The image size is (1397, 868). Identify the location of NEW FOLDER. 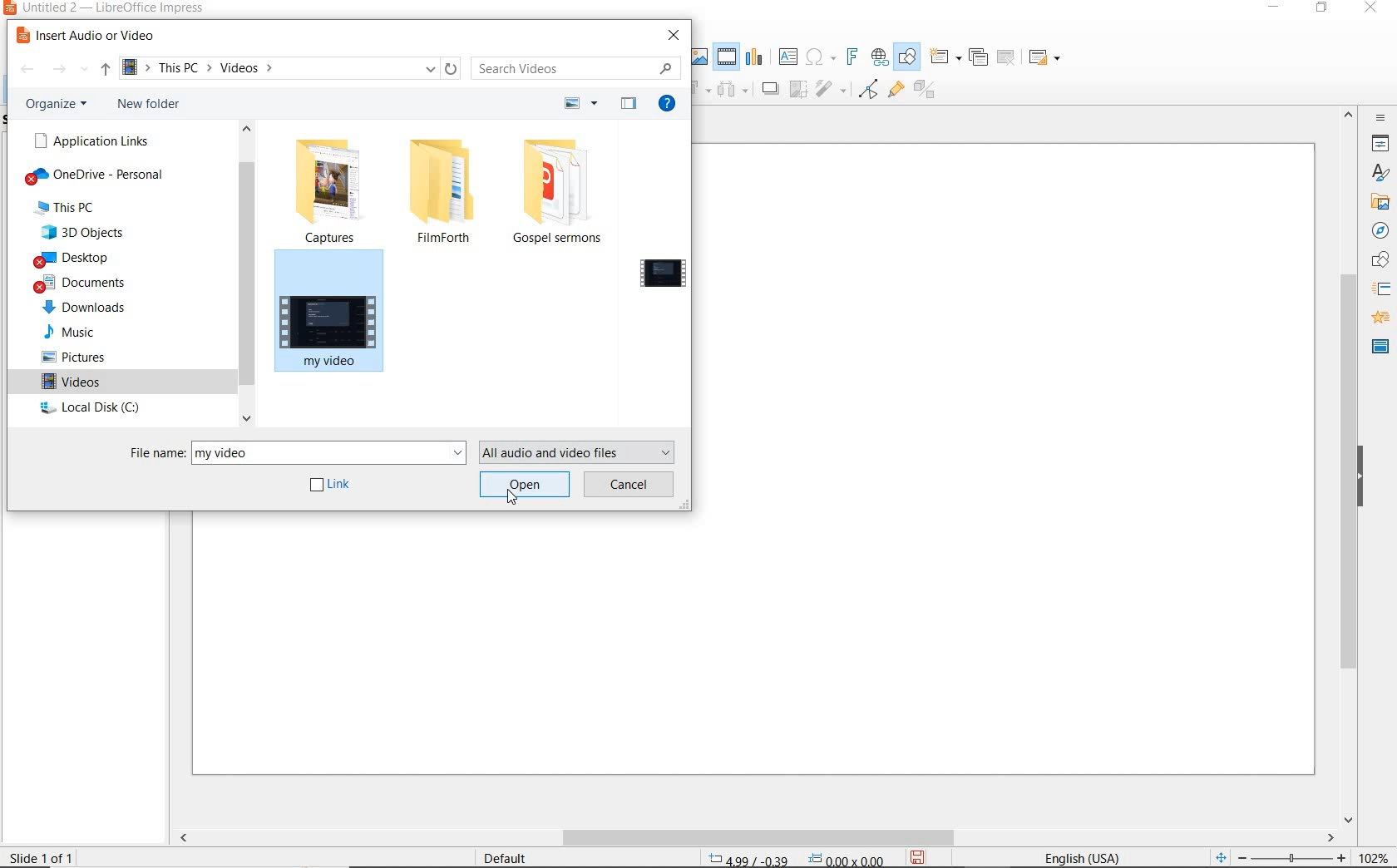
(149, 104).